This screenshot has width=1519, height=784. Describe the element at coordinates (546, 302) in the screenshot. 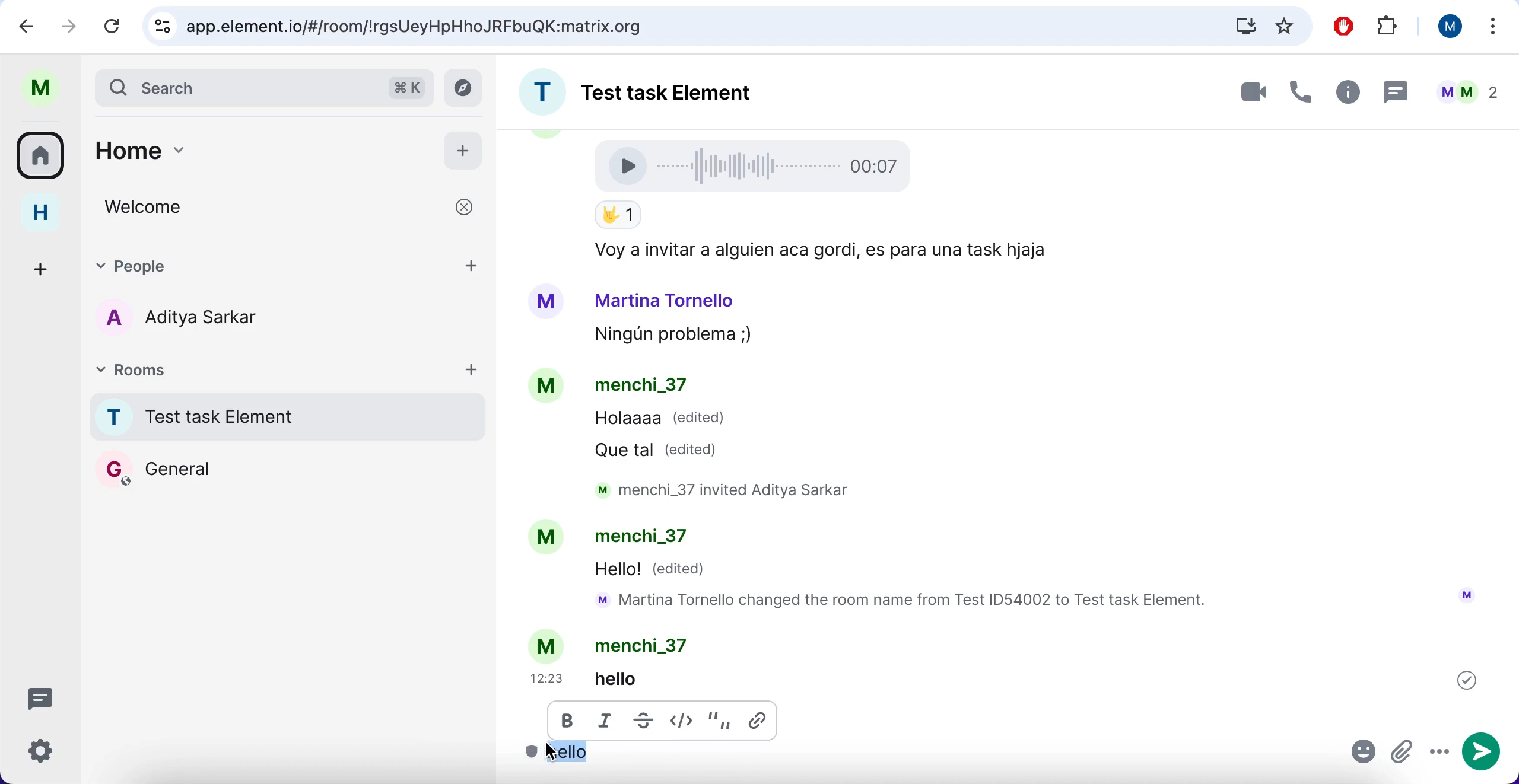

I see `Avatar` at that location.